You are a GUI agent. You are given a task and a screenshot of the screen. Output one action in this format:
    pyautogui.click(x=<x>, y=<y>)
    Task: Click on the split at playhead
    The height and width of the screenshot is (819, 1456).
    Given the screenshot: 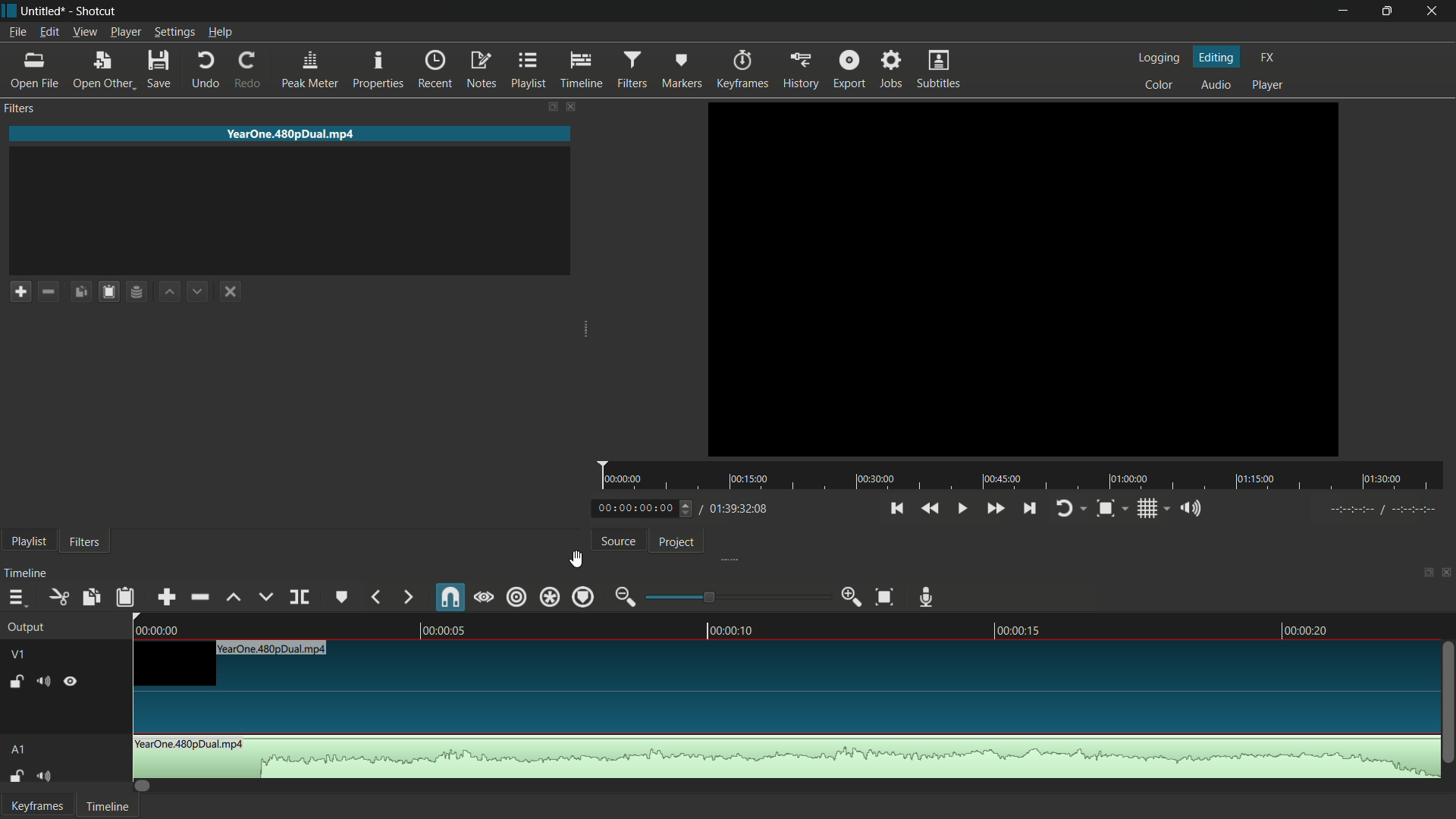 What is the action you would take?
    pyautogui.click(x=301, y=598)
    